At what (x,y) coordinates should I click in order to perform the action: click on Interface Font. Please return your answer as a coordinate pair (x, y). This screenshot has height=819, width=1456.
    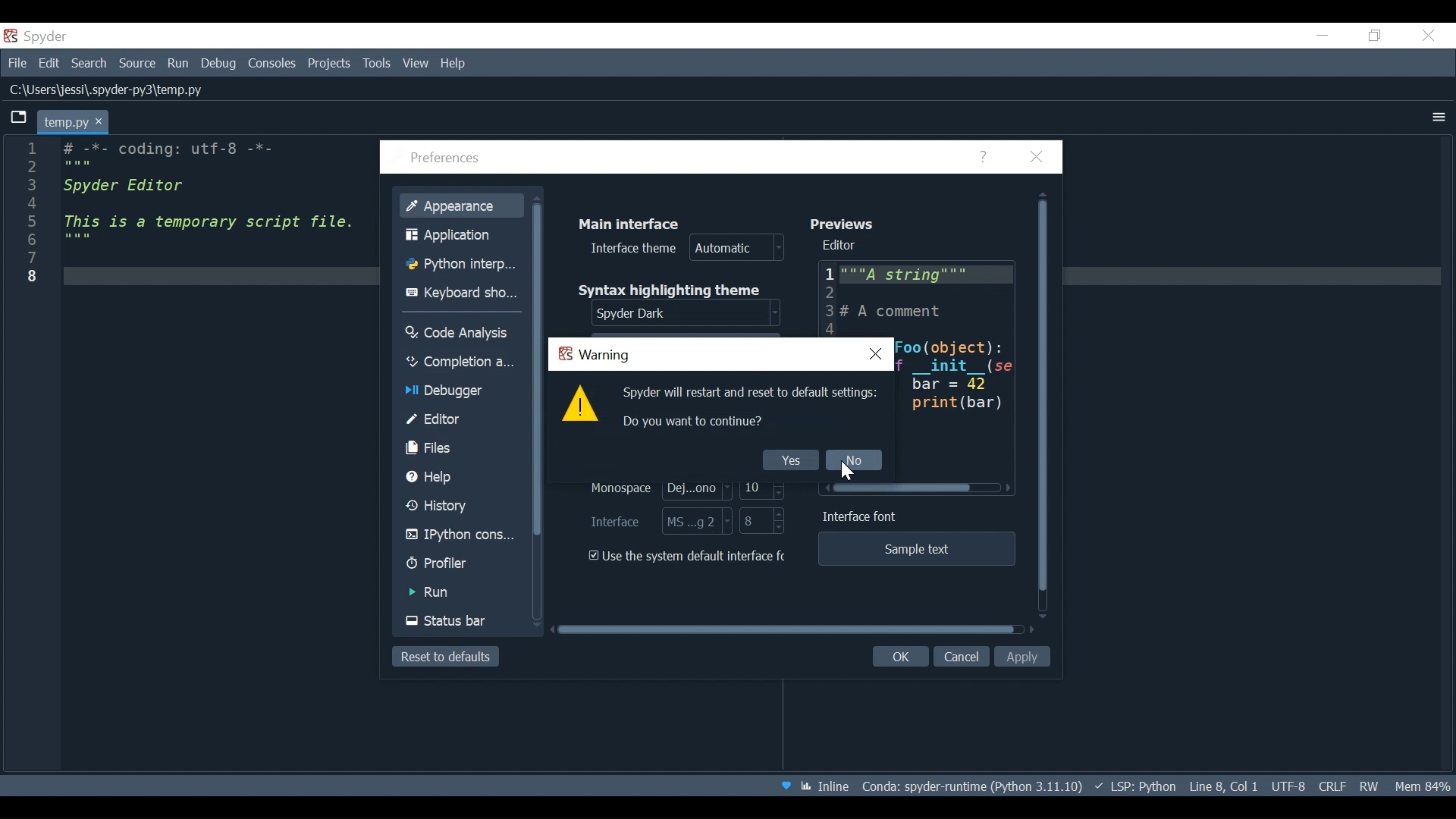
    Looking at the image, I should click on (863, 517).